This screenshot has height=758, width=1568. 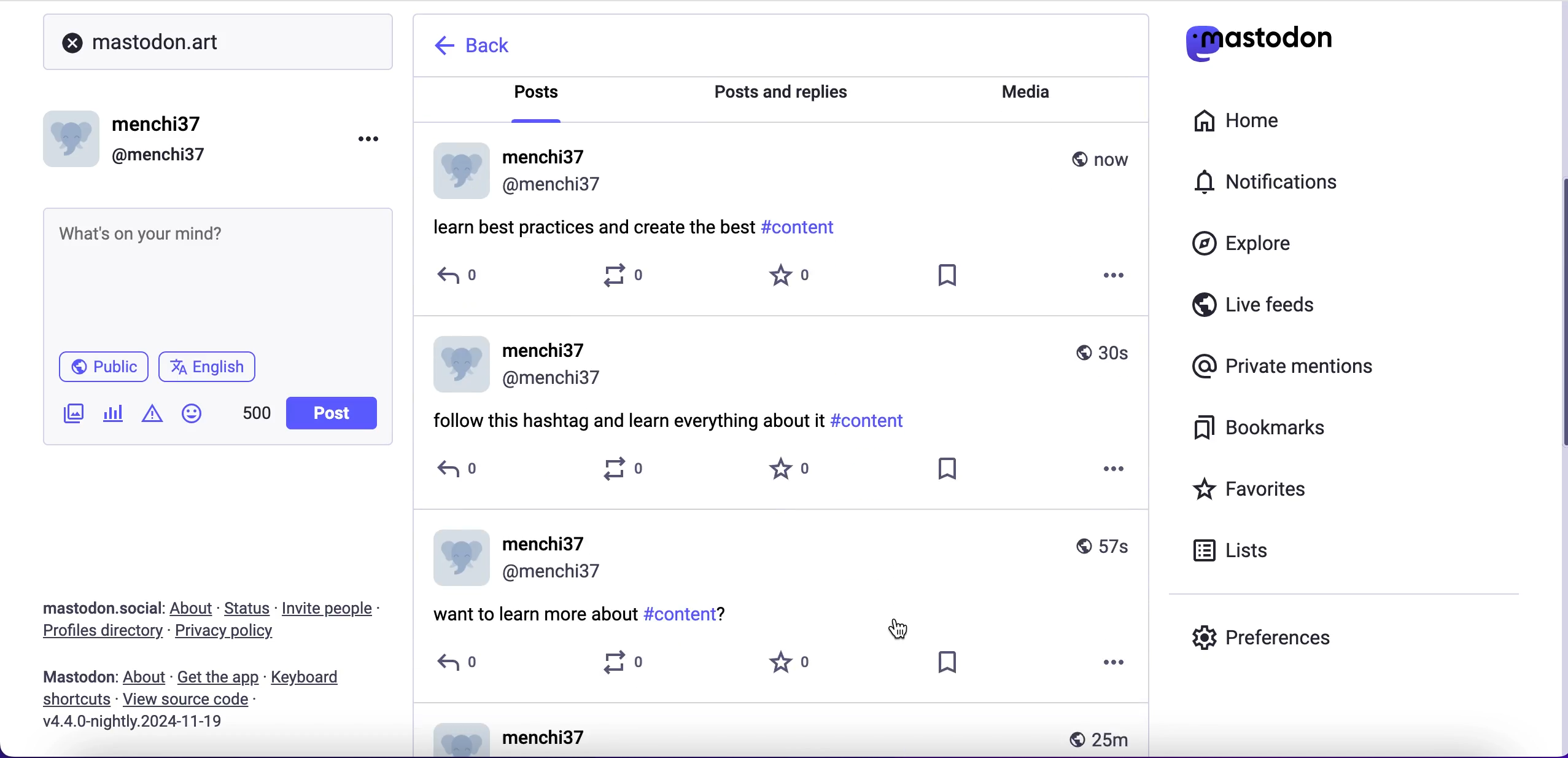 What do you see at coordinates (482, 471) in the screenshot?
I see `0 replies` at bounding box center [482, 471].